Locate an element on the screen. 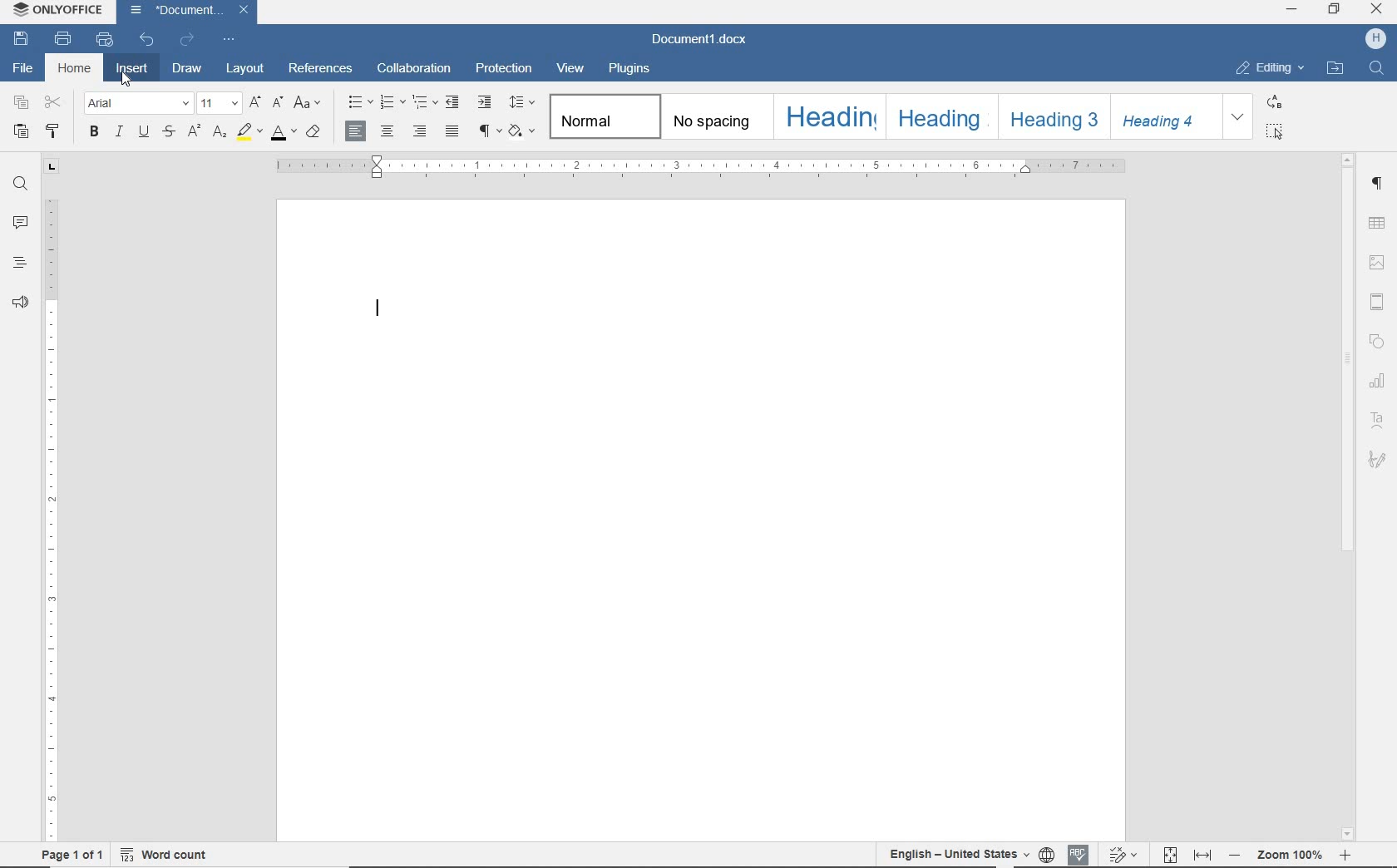 The height and width of the screenshot is (868, 1397). Document1.docx(document name) is located at coordinates (698, 40).